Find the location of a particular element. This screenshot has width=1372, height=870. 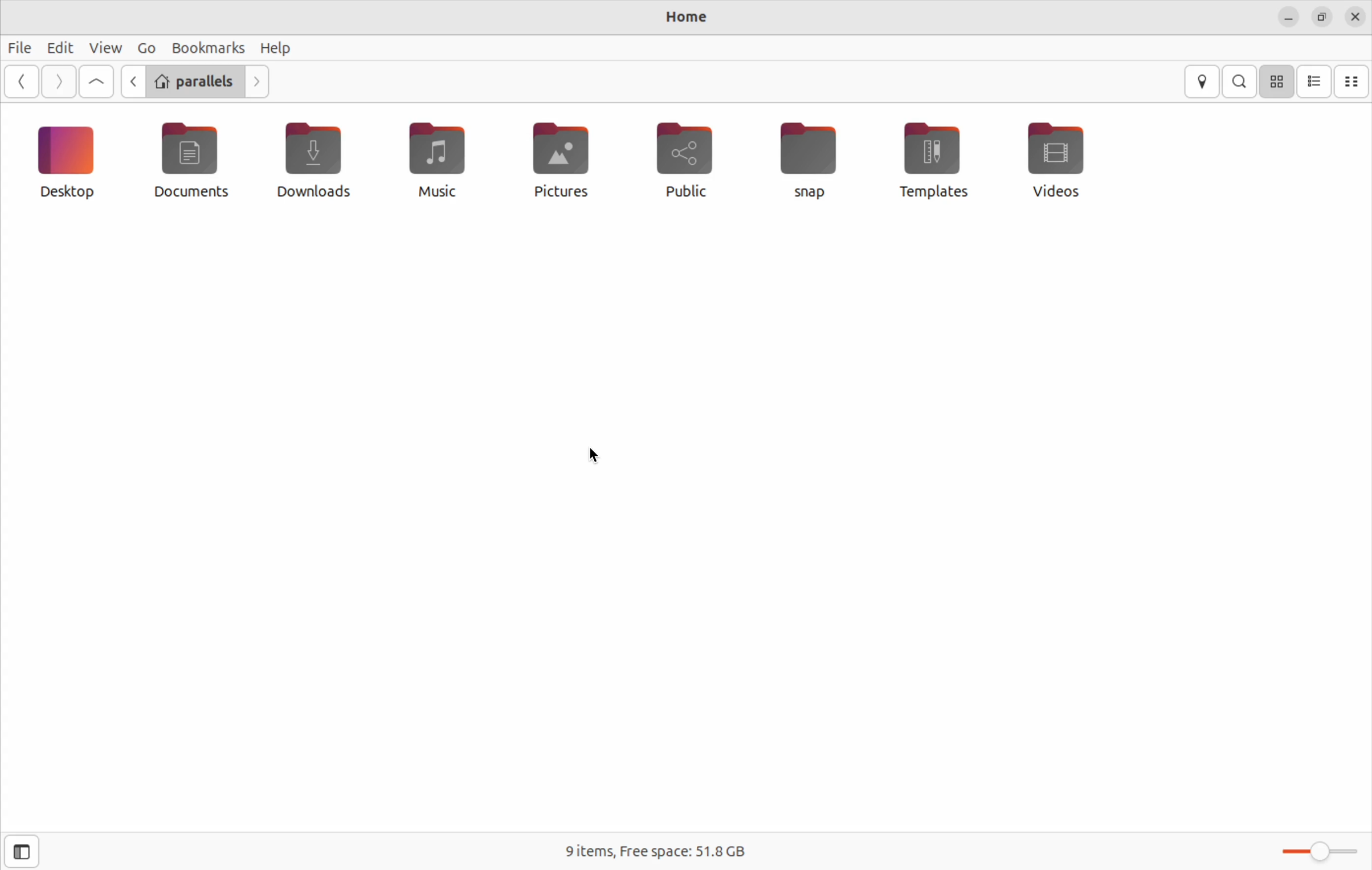

music is located at coordinates (427, 162).